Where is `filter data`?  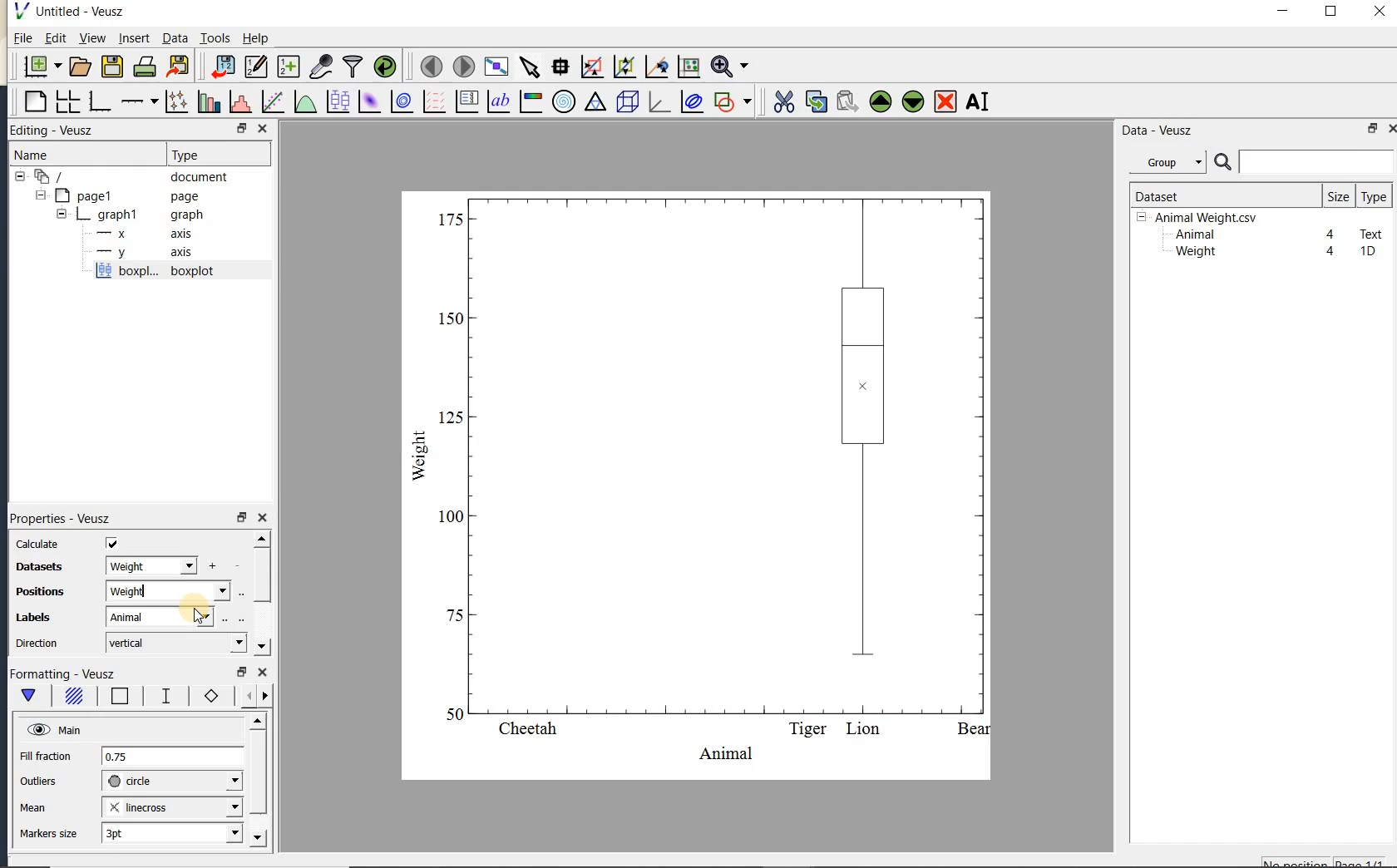 filter data is located at coordinates (353, 65).